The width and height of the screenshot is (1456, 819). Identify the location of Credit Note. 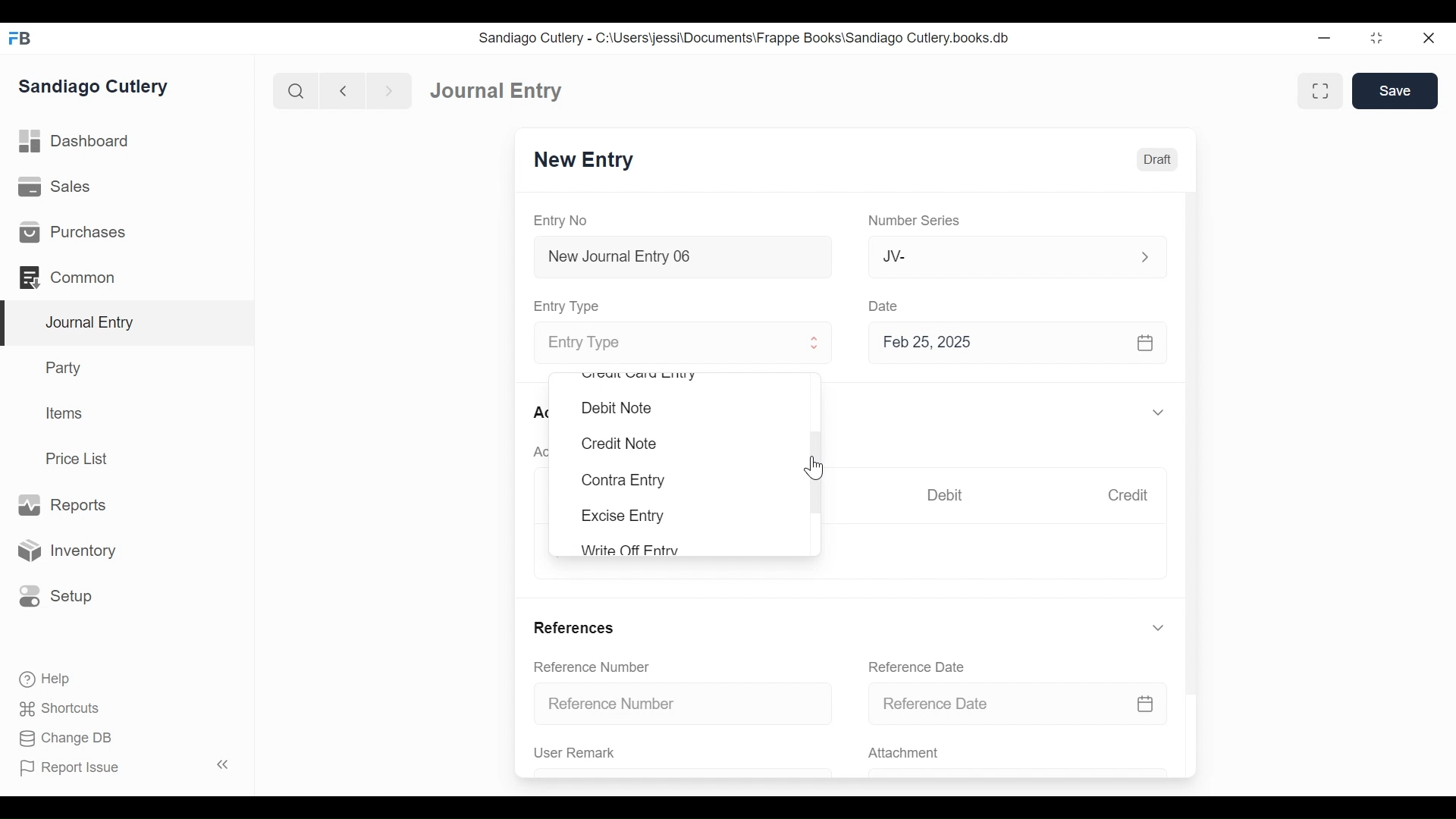
(617, 444).